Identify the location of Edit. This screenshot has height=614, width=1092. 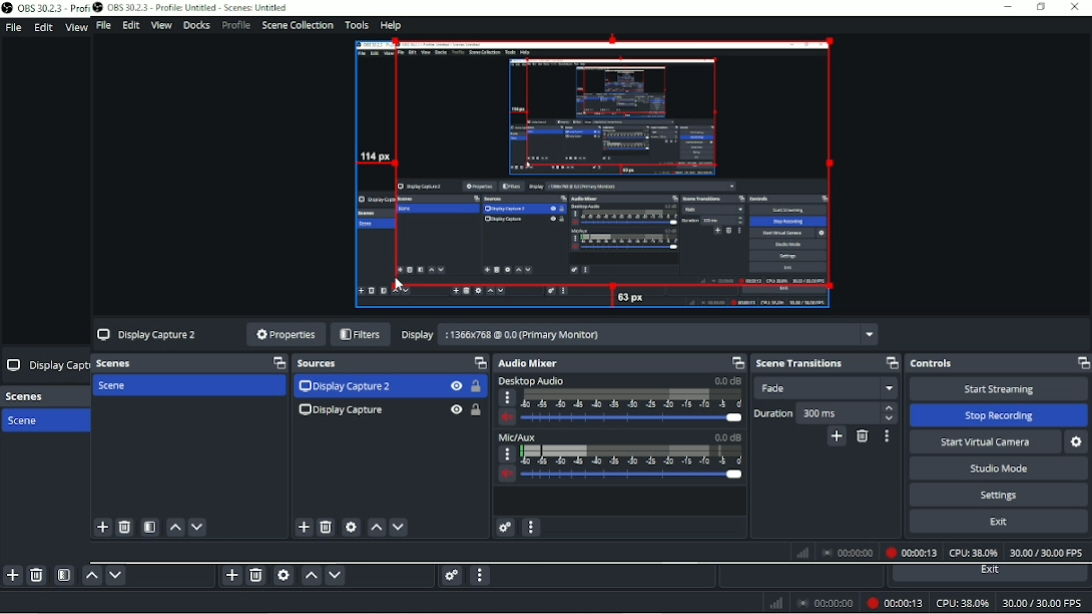
(44, 26).